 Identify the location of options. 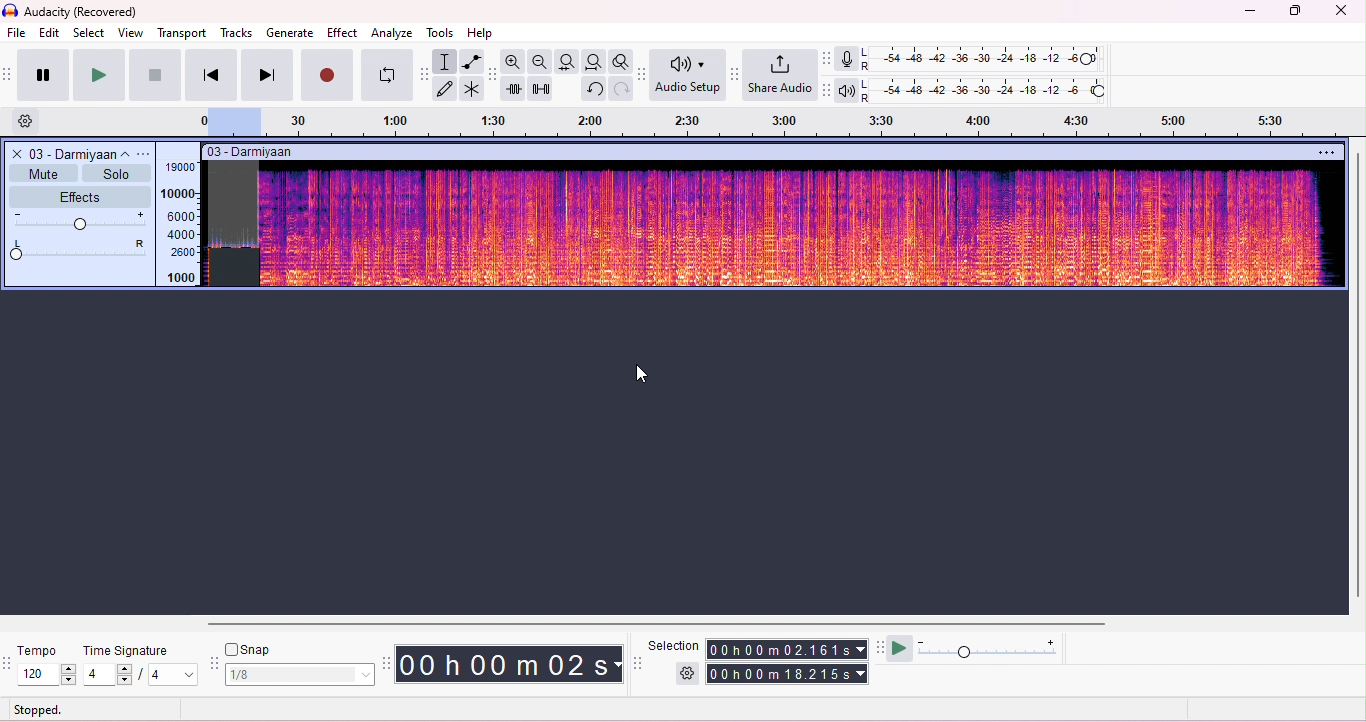
(145, 154).